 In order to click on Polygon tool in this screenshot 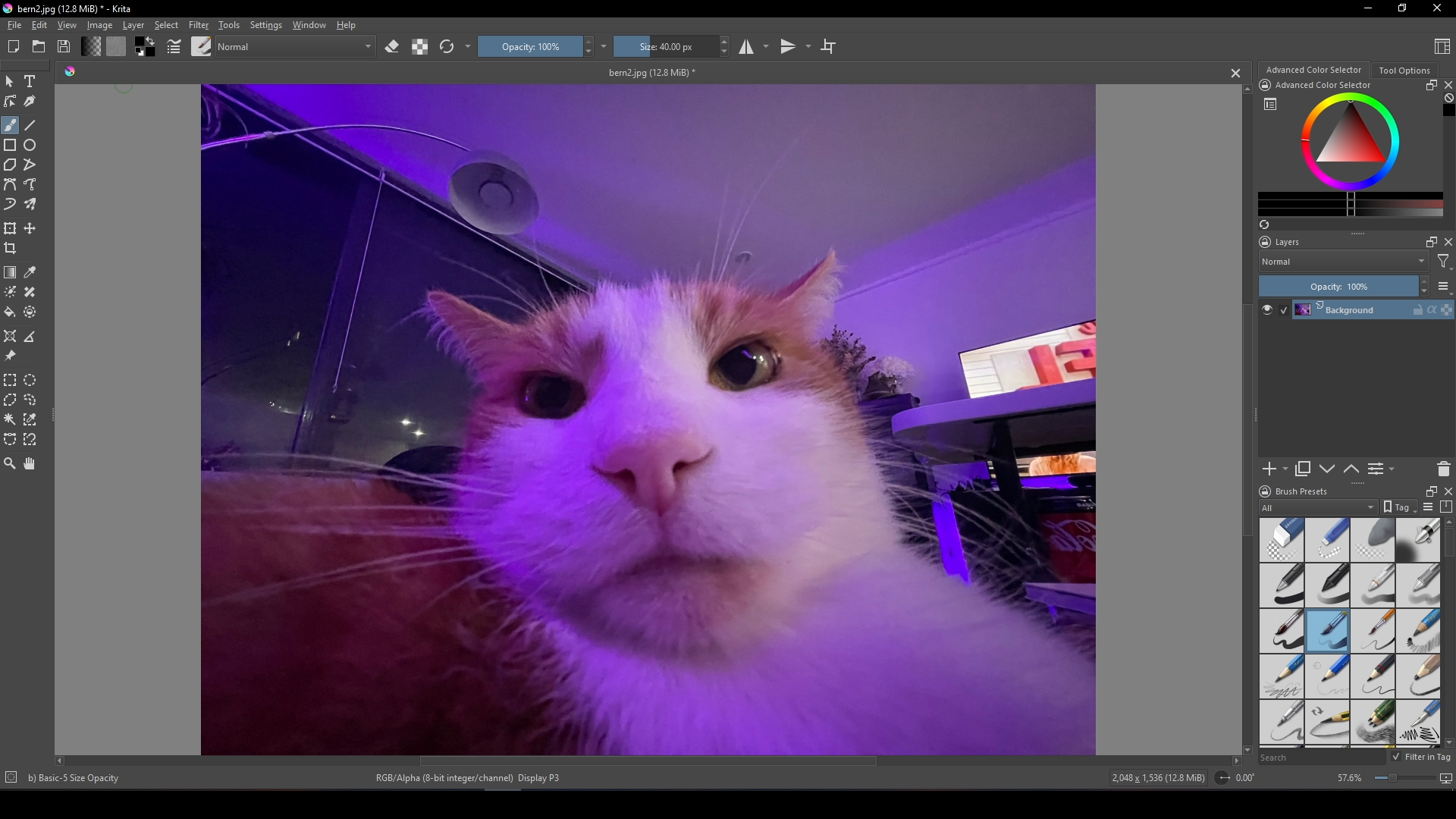, I will do `click(11, 165)`.